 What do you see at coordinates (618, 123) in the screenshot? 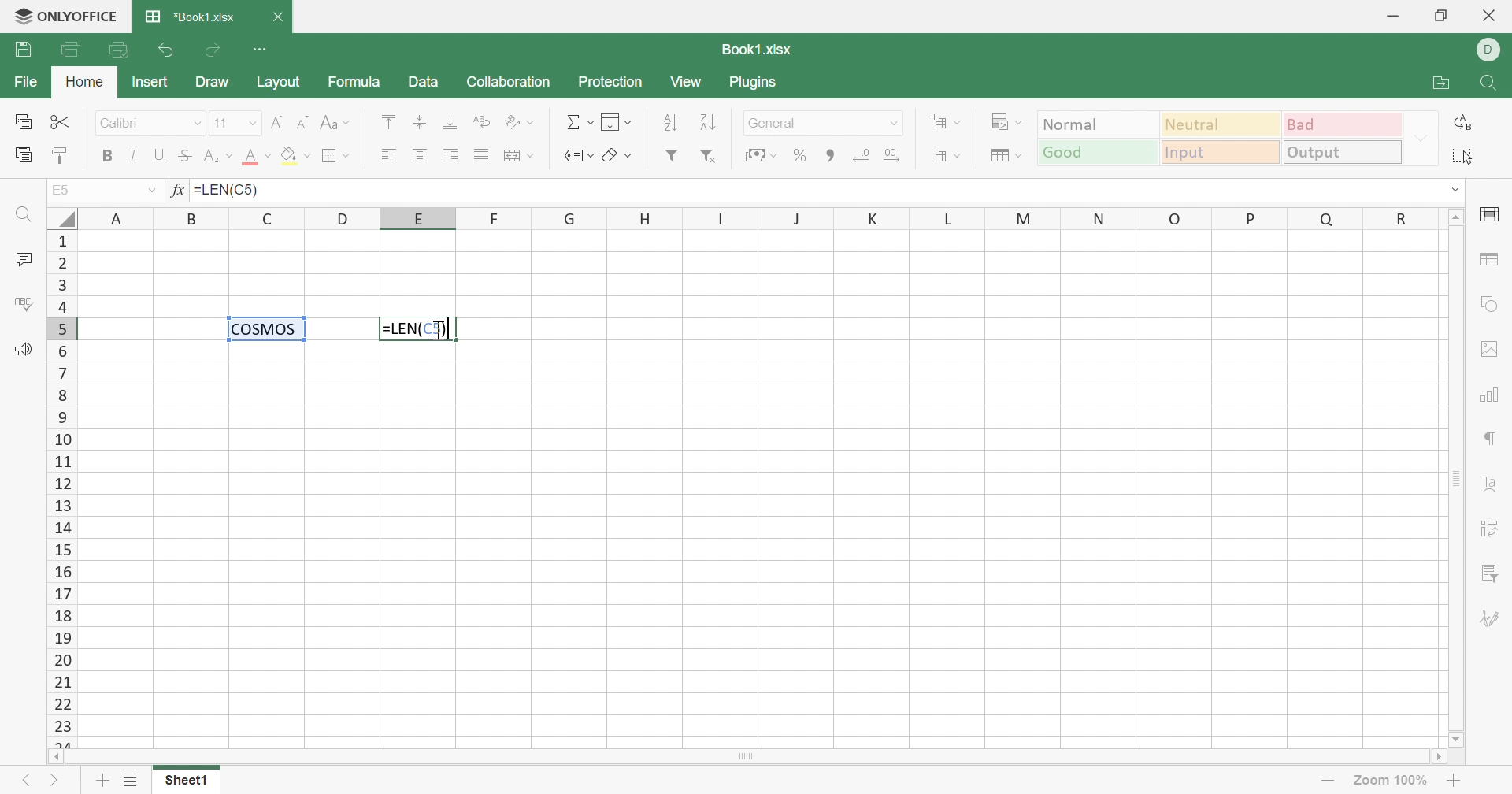
I see `Fill` at bounding box center [618, 123].